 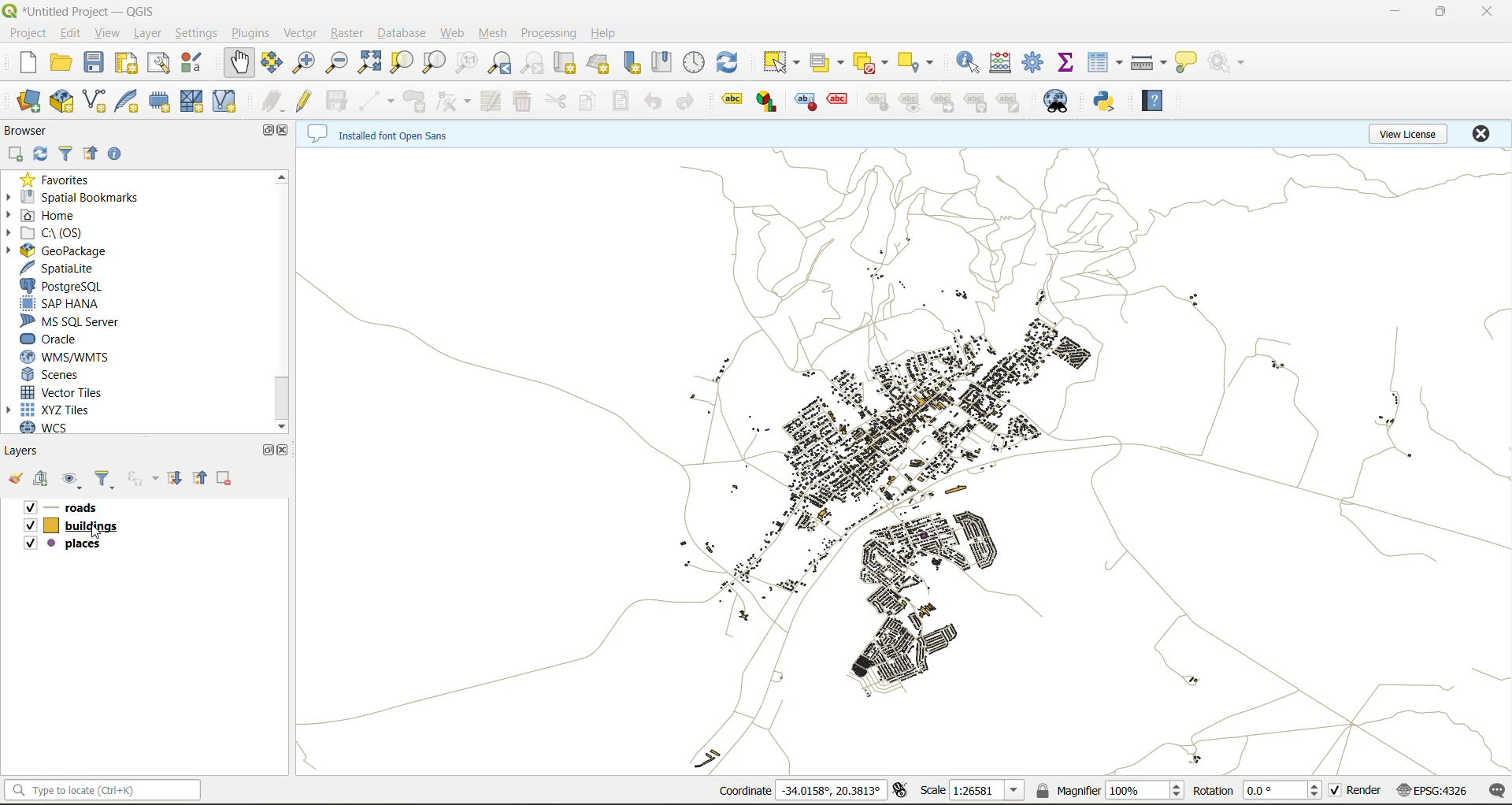 I want to click on indentify features, so click(x=967, y=67).